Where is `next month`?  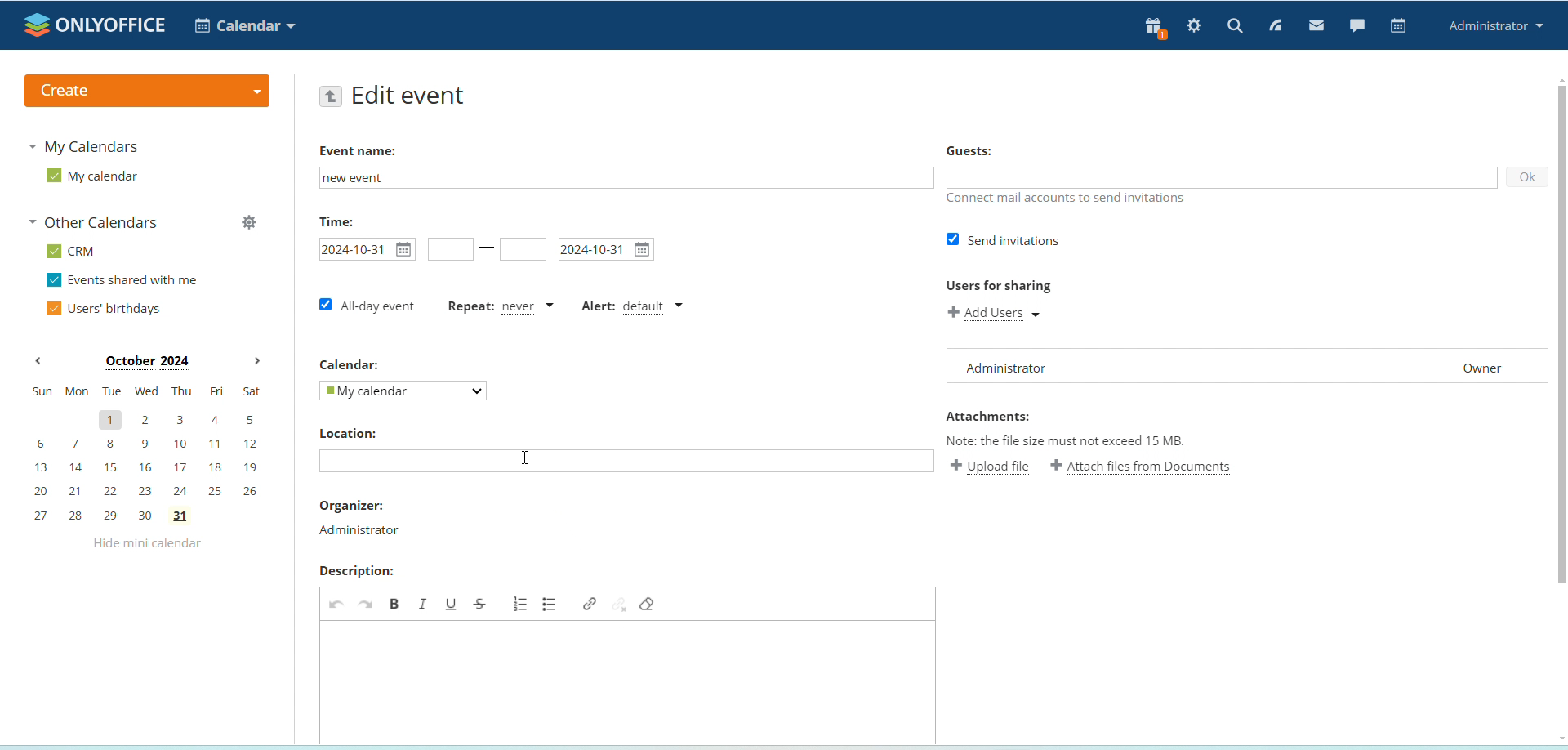 next month is located at coordinates (256, 362).